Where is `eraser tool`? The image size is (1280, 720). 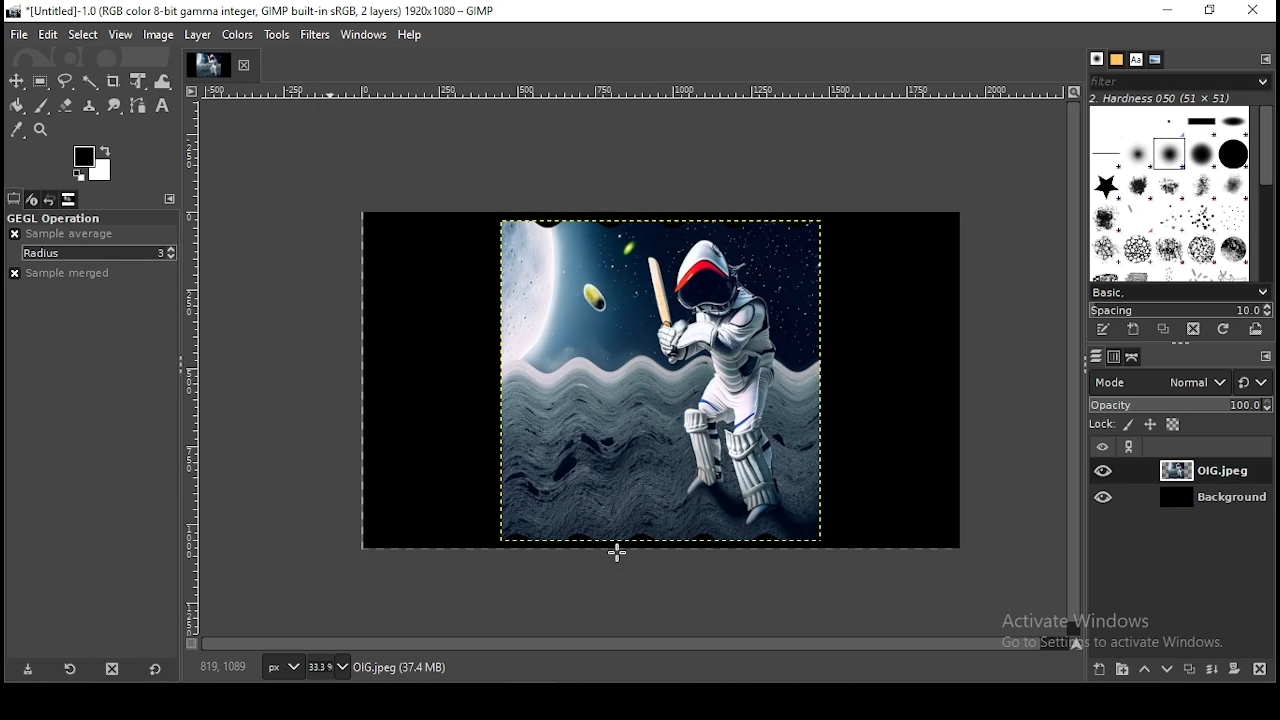
eraser tool is located at coordinates (68, 106).